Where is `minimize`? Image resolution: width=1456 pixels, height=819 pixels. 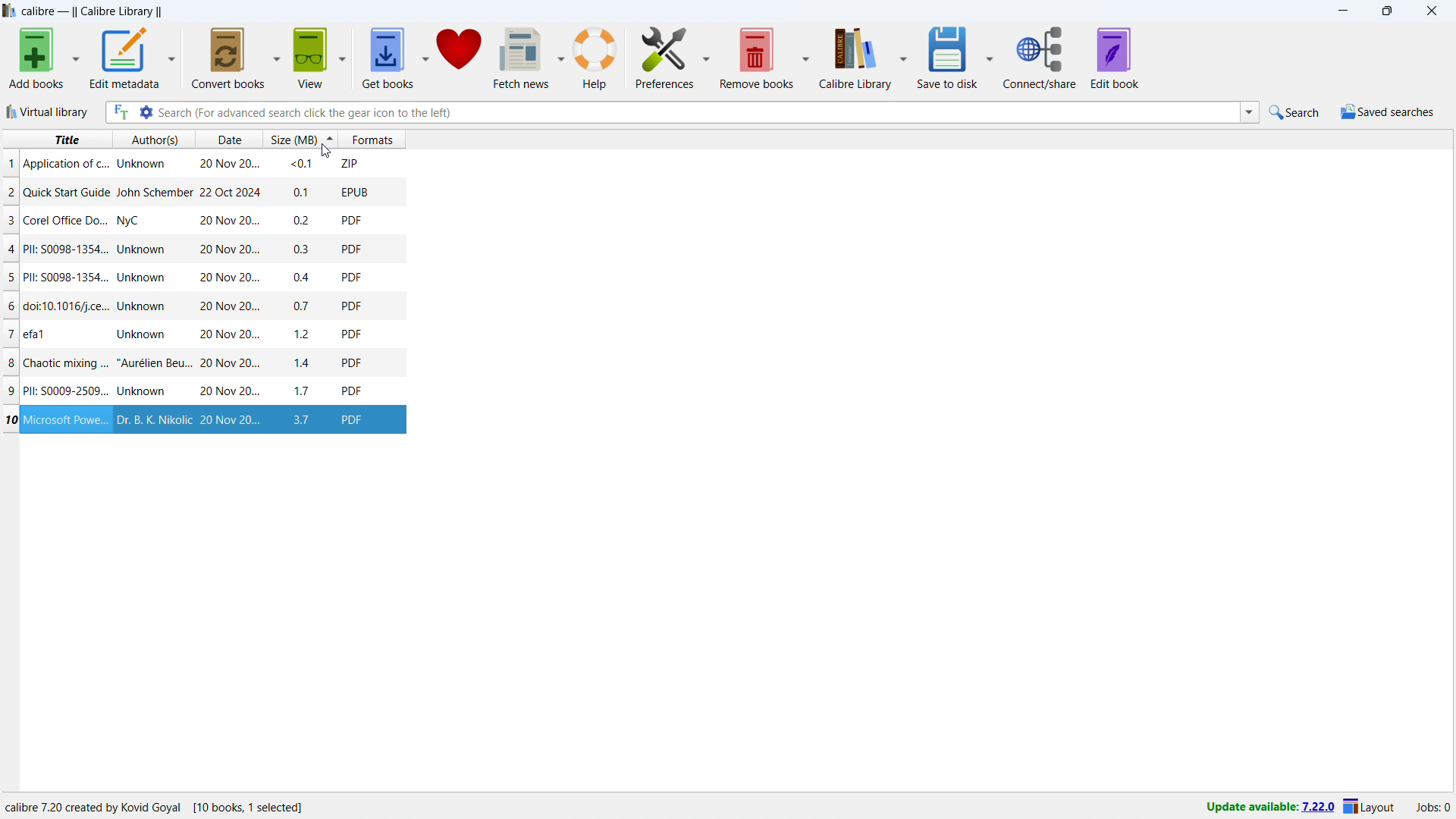 minimize is located at coordinates (1341, 11).